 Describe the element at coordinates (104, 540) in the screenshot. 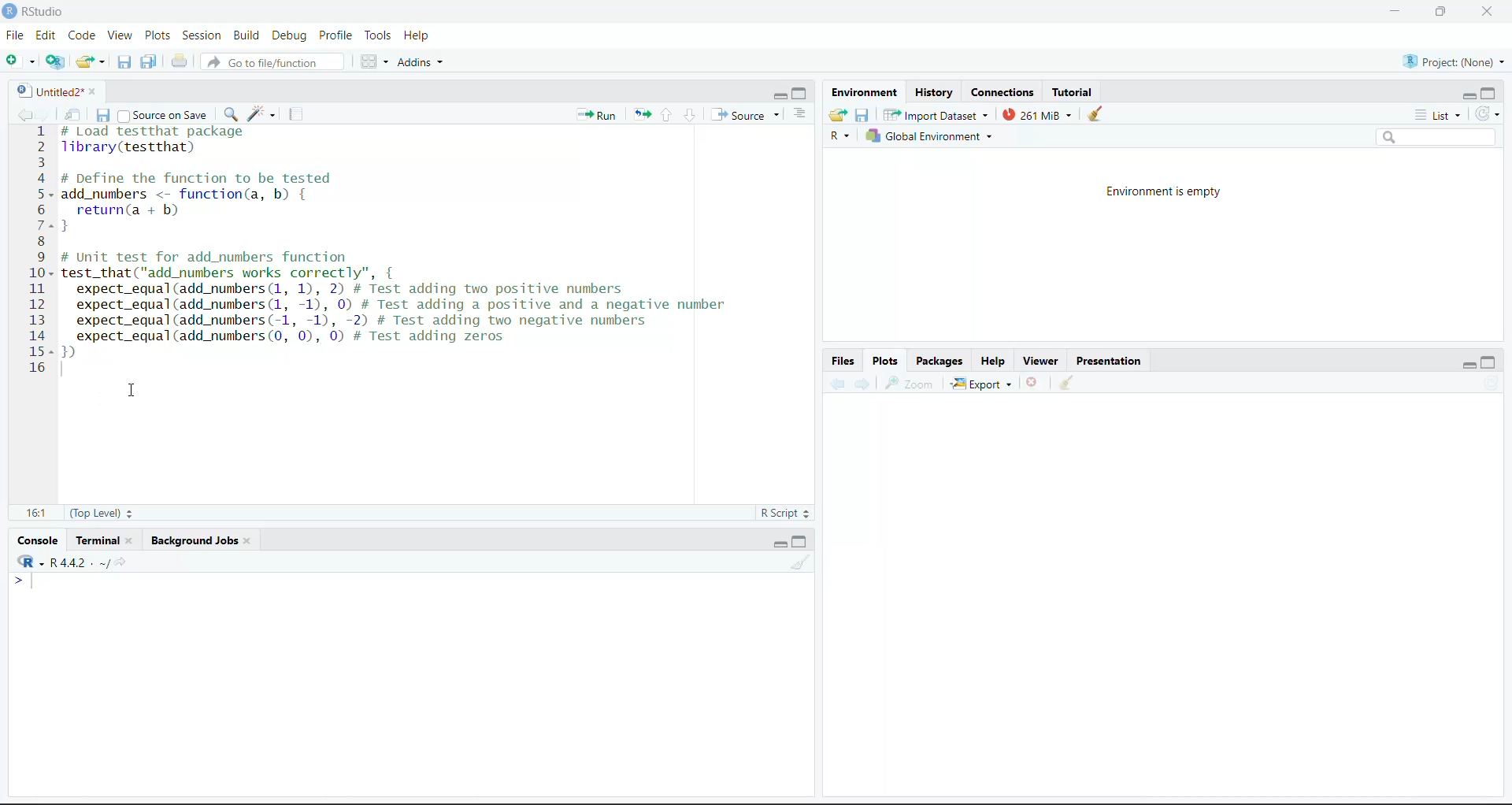

I see `Terminal` at that location.